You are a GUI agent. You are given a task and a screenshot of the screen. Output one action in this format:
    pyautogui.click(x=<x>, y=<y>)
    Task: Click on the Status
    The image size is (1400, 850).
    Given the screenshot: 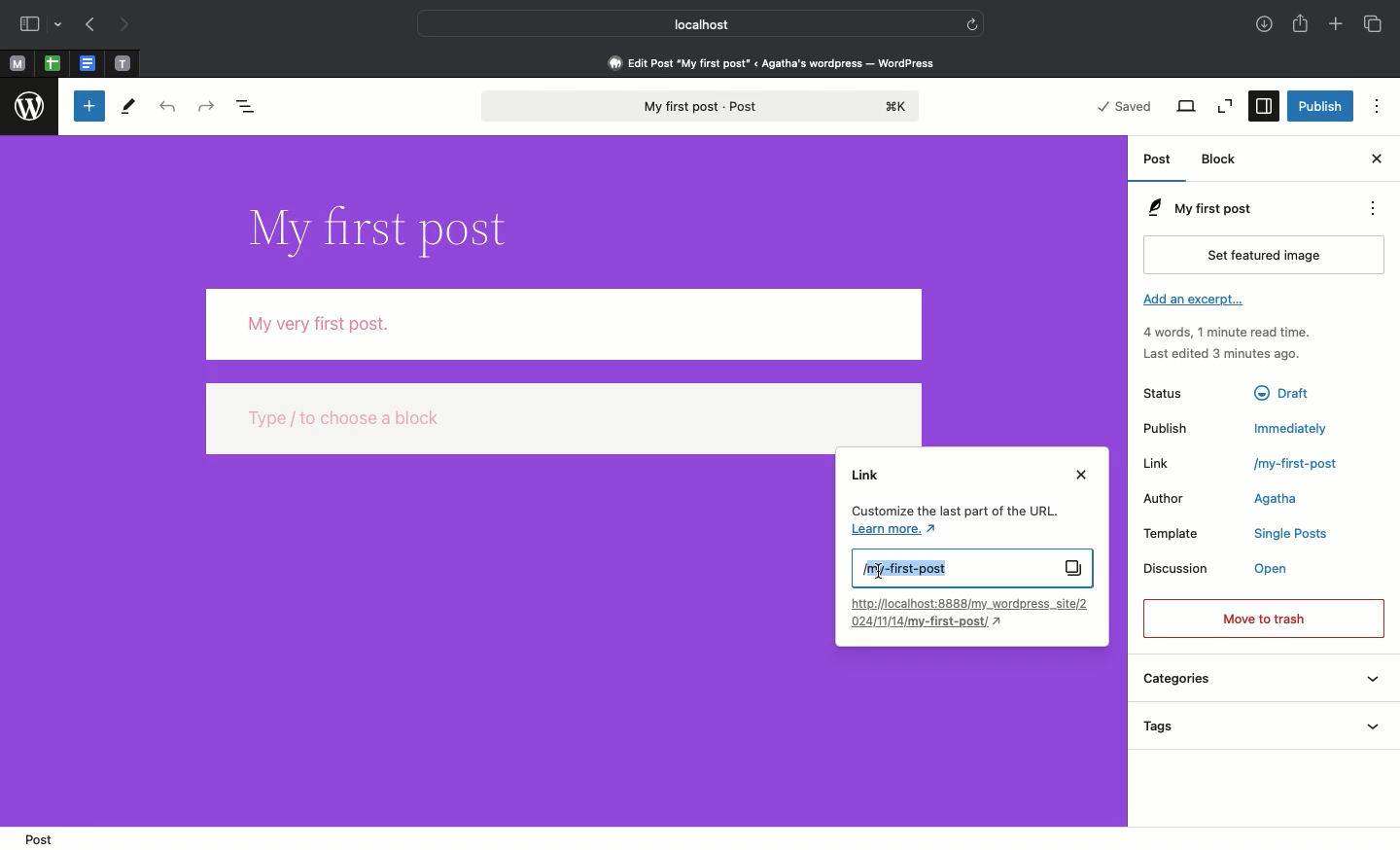 What is the action you would take?
    pyautogui.click(x=1163, y=392)
    